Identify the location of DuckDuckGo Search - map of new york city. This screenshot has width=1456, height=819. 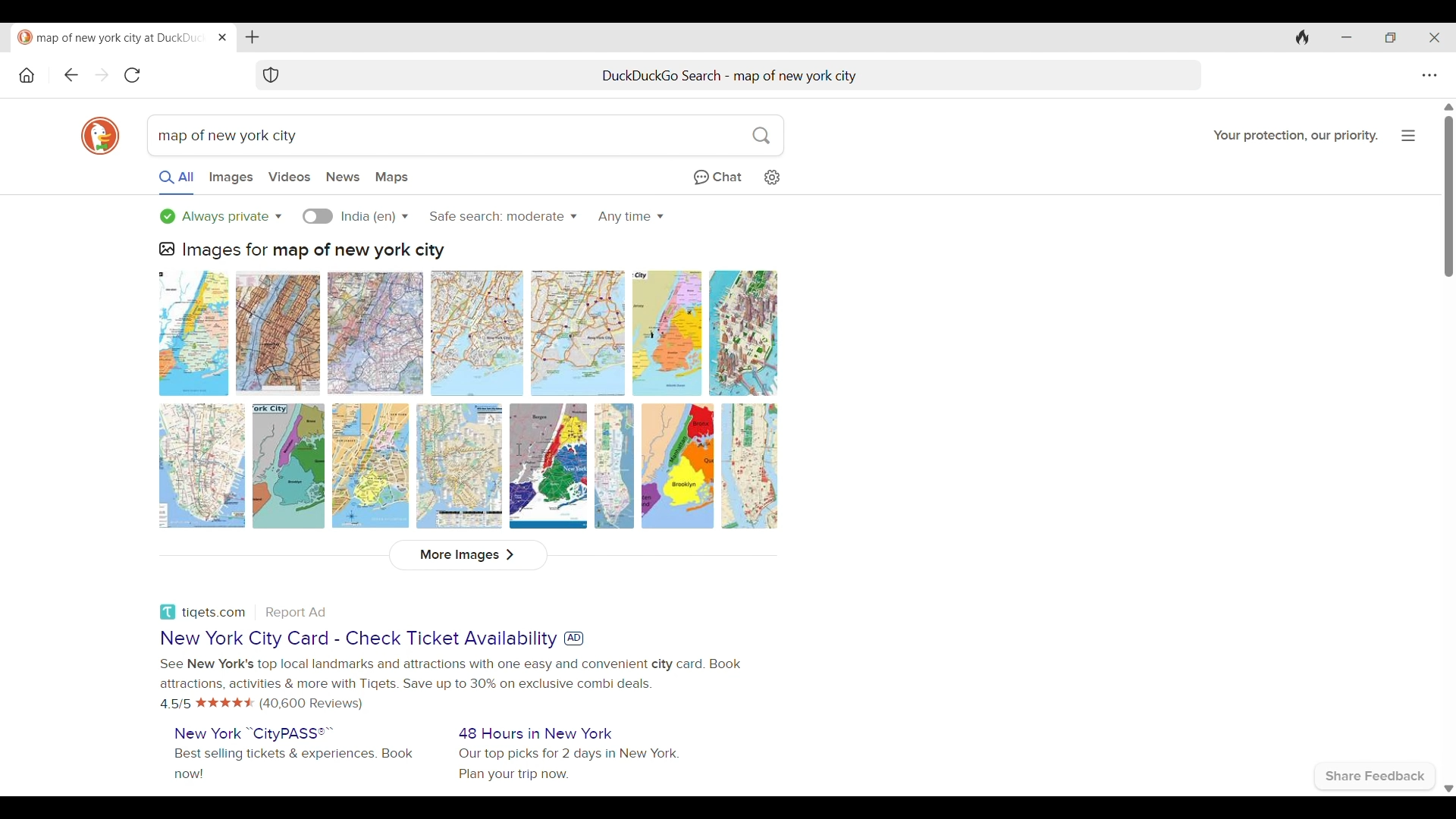
(730, 76).